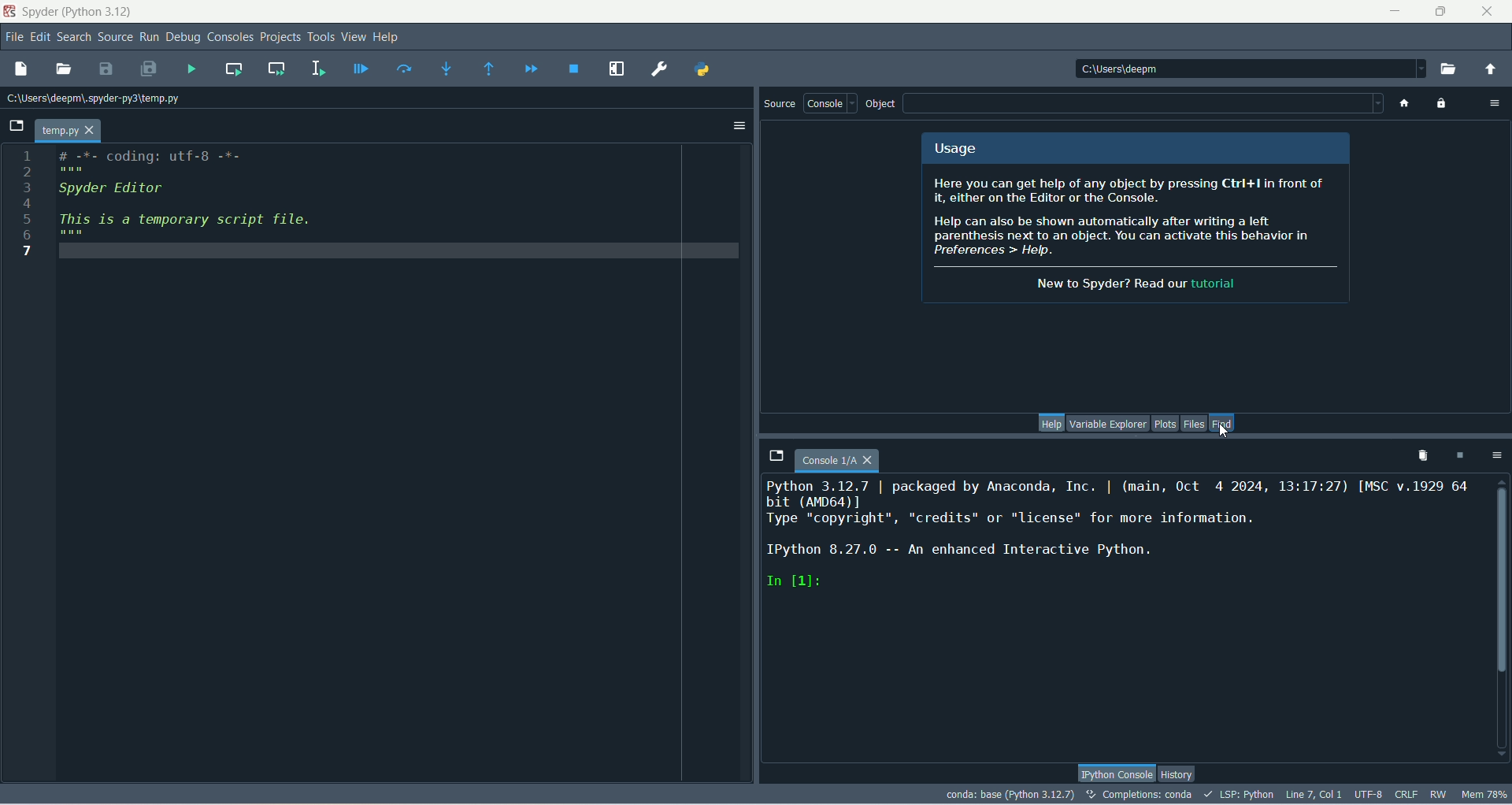 The width and height of the screenshot is (1512, 805). Describe the element at coordinates (1490, 102) in the screenshot. I see `options` at that location.